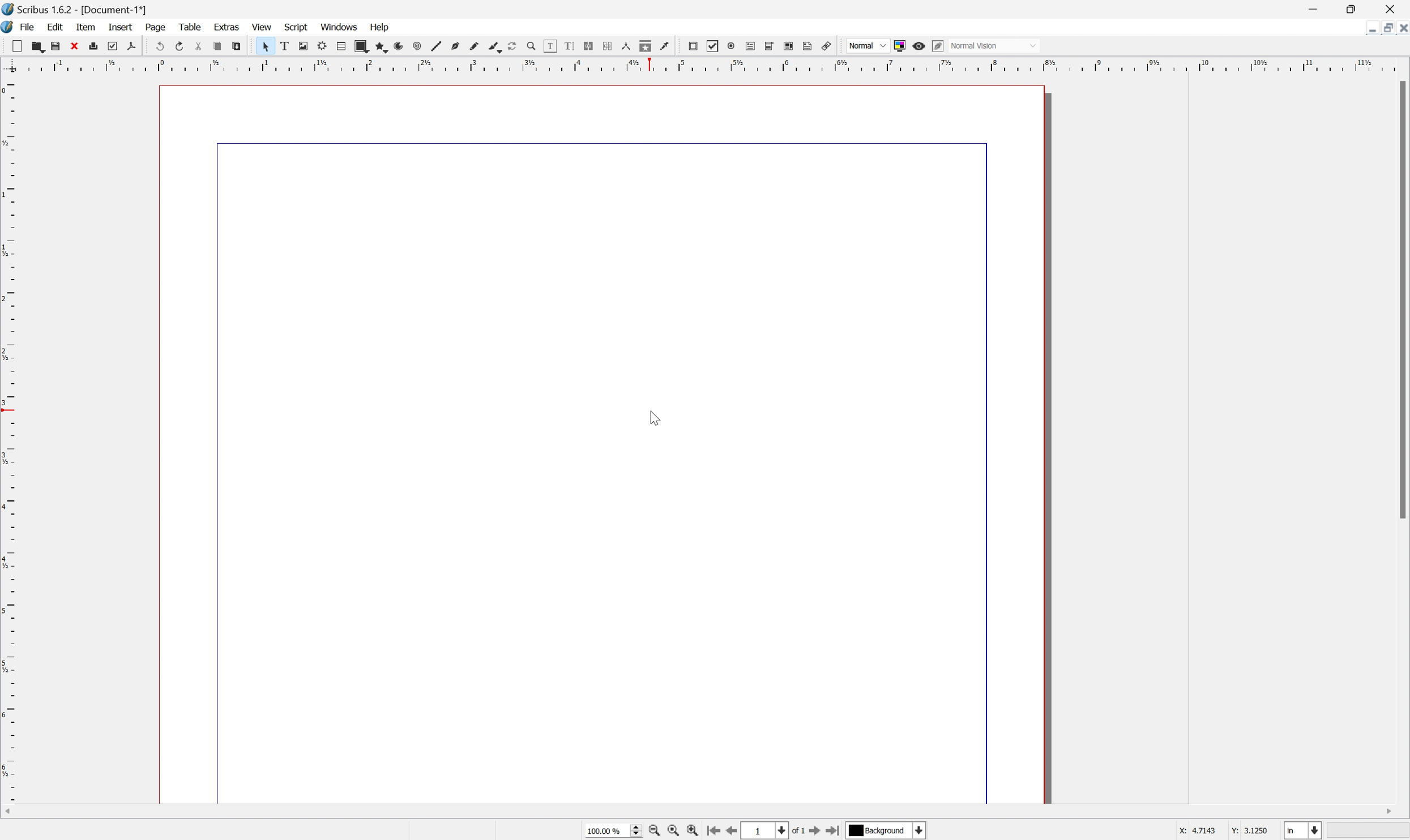 This screenshot has height=840, width=1410. What do you see at coordinates (10, 439) in the screenshot?
I see `Scale` at bounding box center [10, 439].